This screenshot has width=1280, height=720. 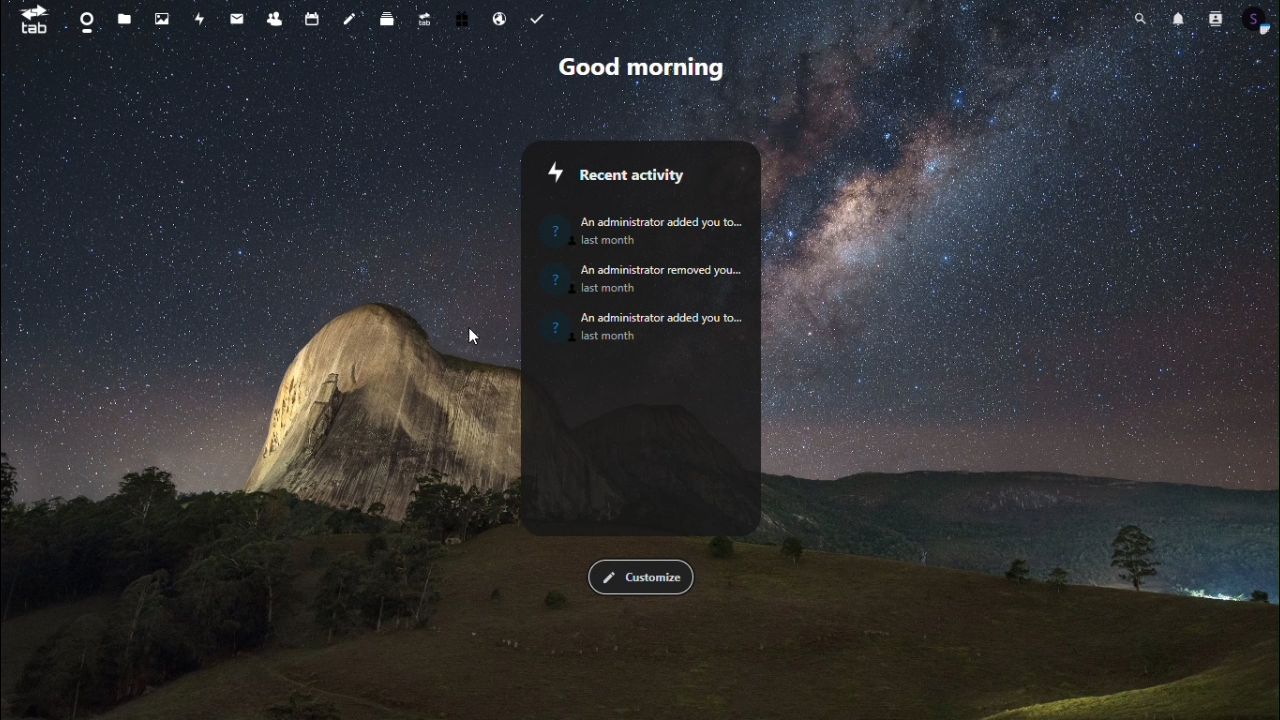 What do you see at coordinates (476, 338) in the screenshot?
I see `Cursor` at bounding box center [476, 338].